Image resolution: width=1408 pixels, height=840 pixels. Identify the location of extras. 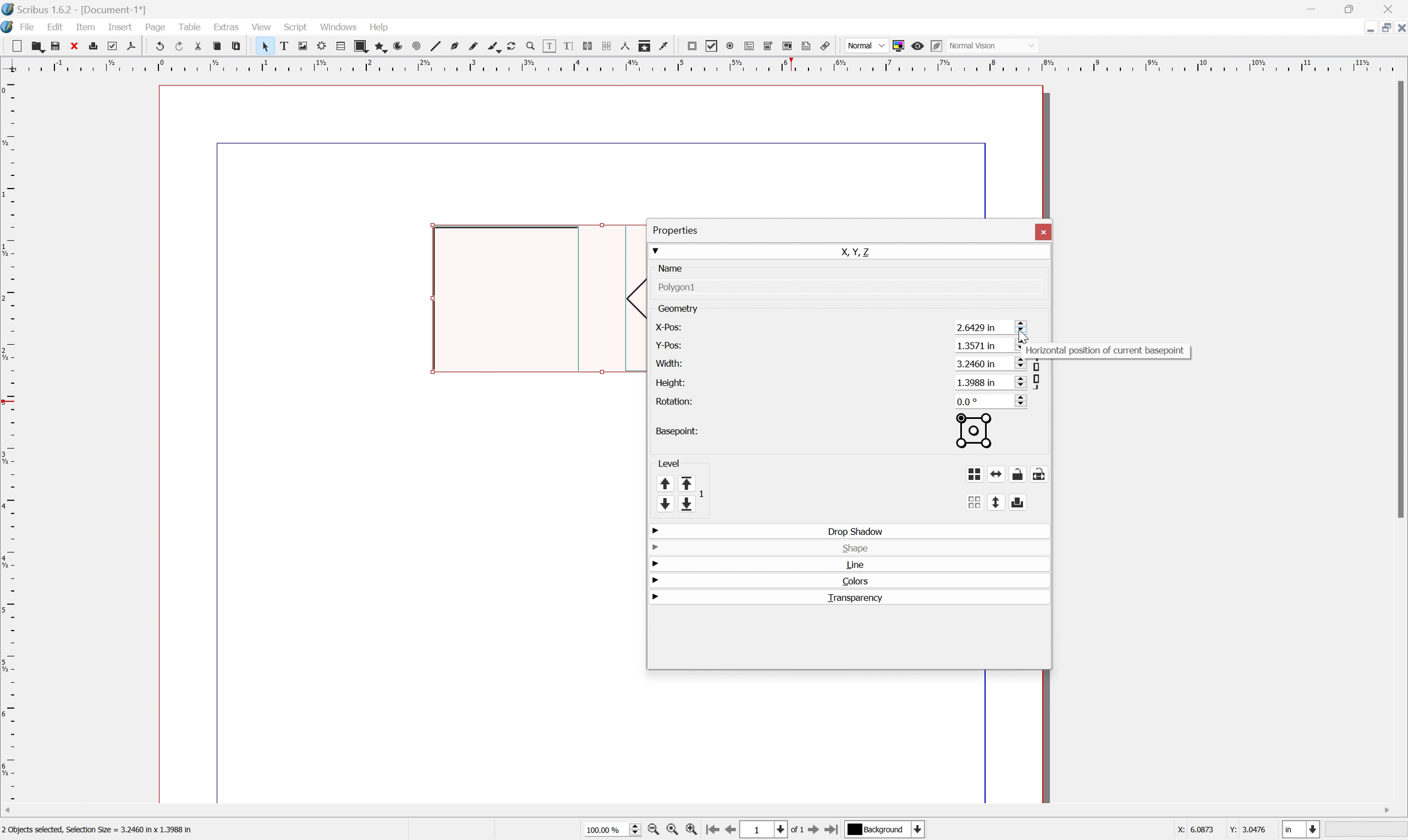
(226, 27).